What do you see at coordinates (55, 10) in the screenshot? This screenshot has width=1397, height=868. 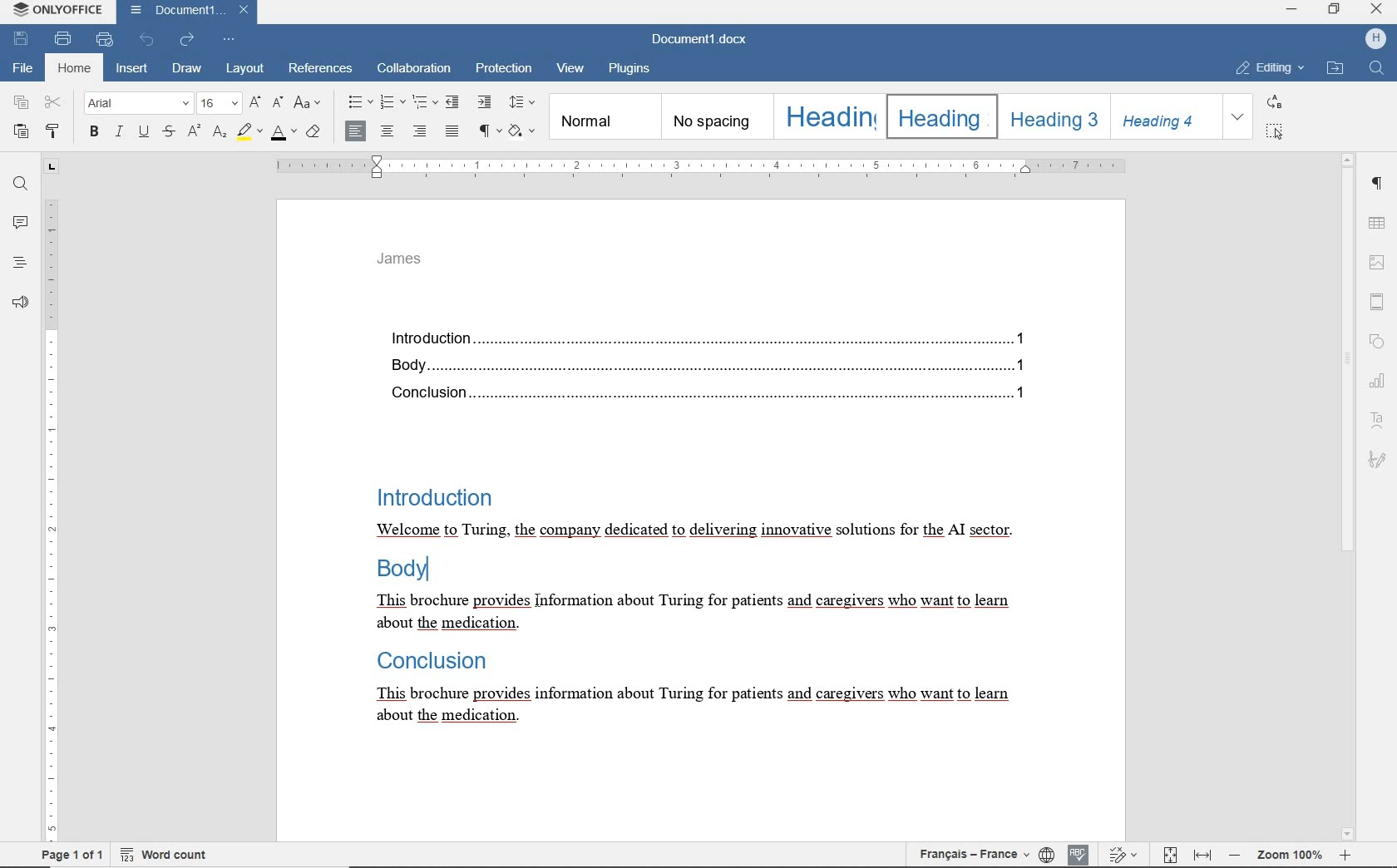 I see `SYSTEM NAME` at bounding box center [55, 10].